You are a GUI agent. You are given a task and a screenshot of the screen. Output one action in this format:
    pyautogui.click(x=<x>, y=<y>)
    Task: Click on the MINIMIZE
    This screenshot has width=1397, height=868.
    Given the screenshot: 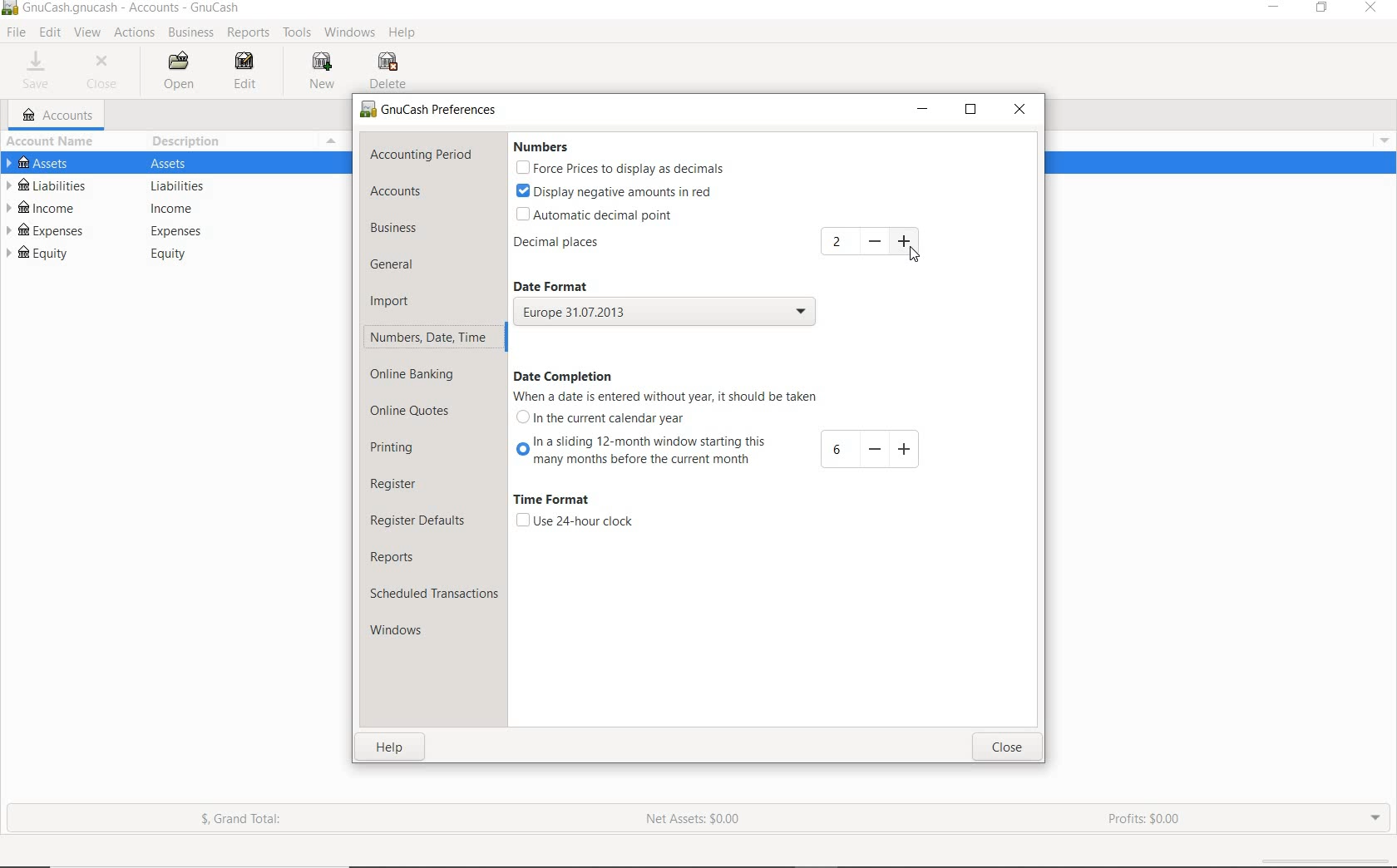 What is the action you would take?
    pyautogui.click(x=922, y=110)
    